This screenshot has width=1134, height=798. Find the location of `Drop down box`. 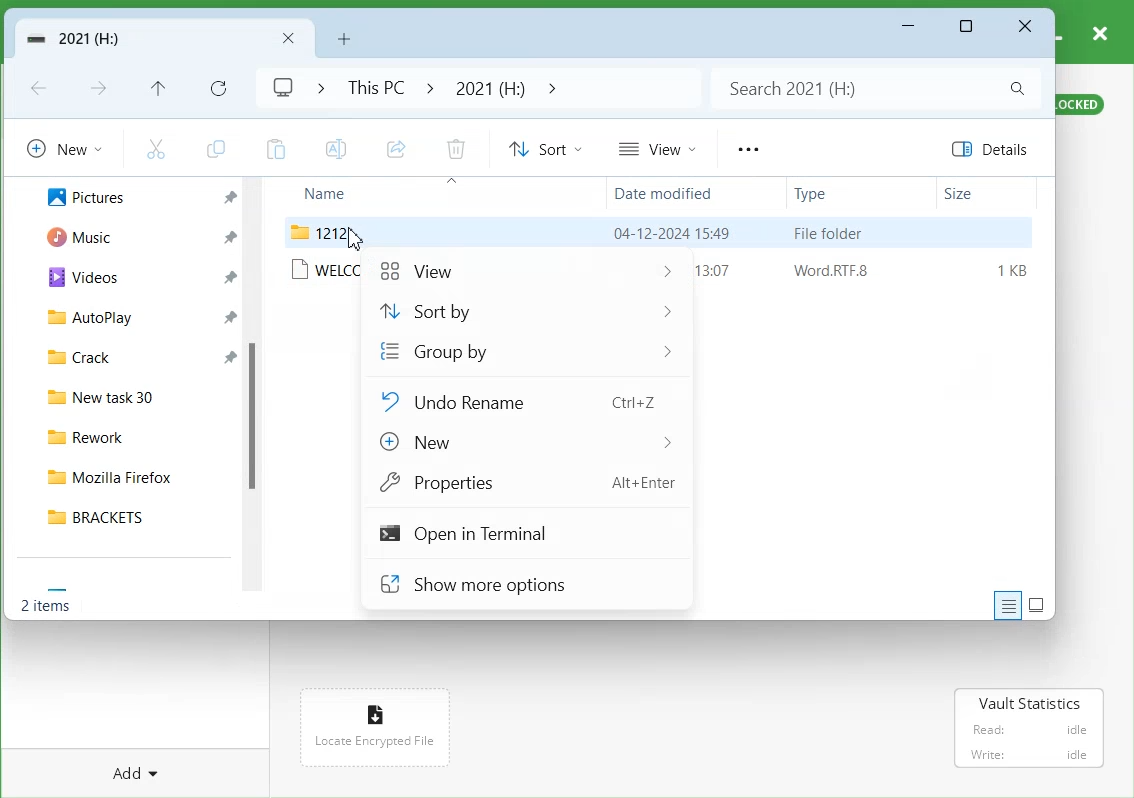

Drop down box is located at coordinates (315, 87).